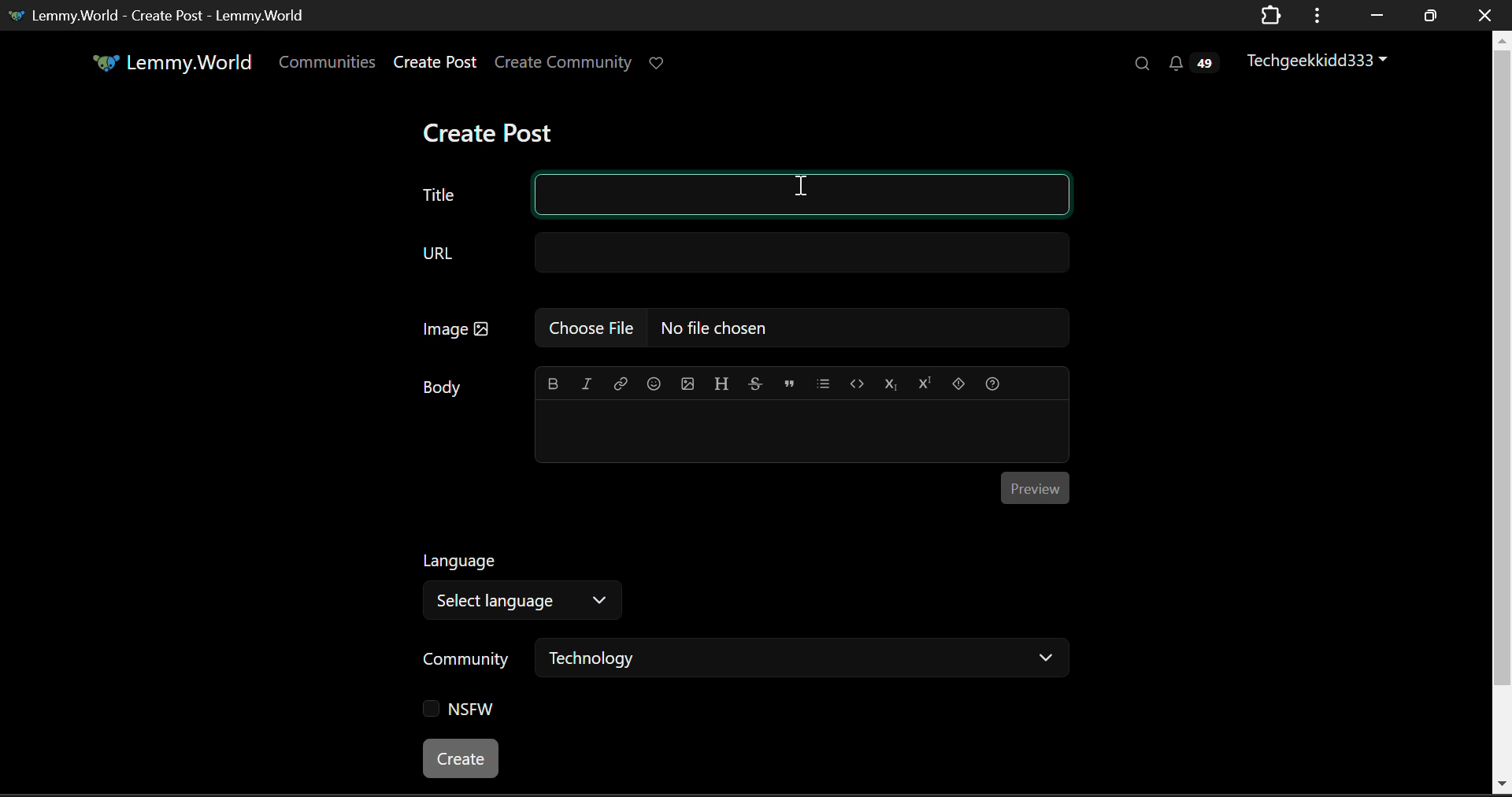 The width and height of the screenshot is (1512, 797). What do you see at coordinates (993, 384) in the screenshot?
I see `Formatting Help` at bounding box center [993, 384].